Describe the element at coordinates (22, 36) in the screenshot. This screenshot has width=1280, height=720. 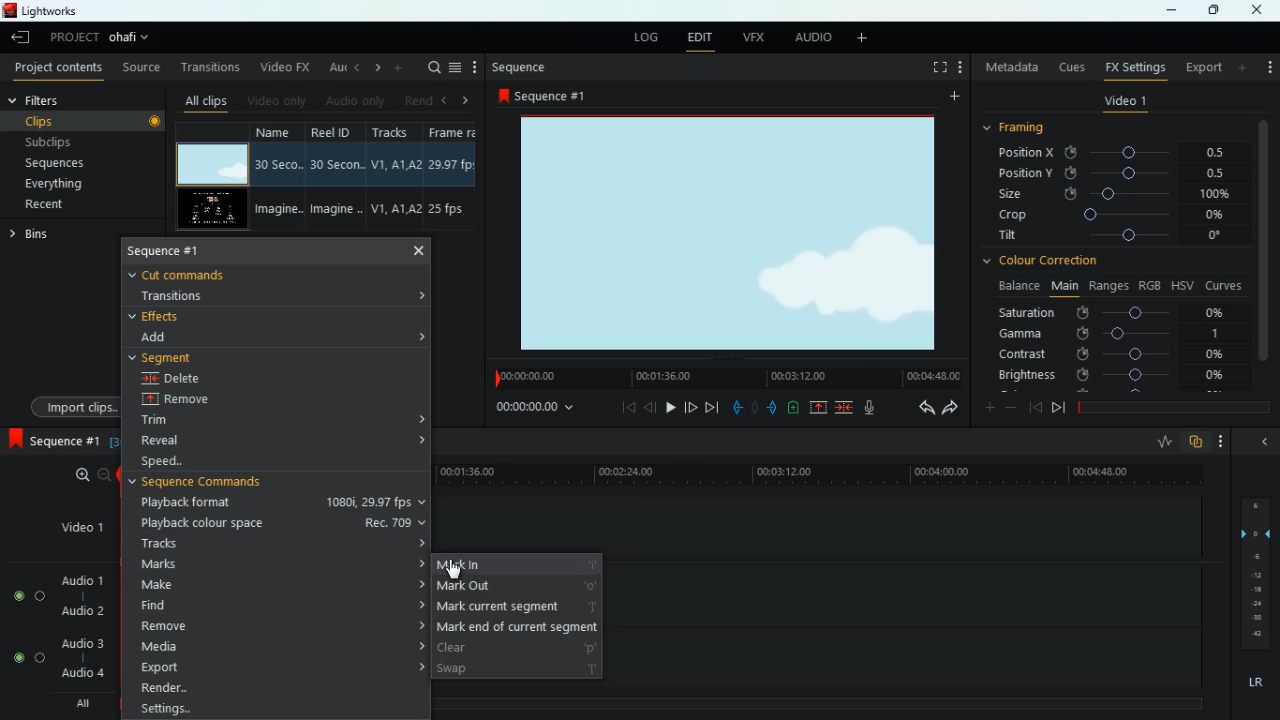
I see `leave` at that location.